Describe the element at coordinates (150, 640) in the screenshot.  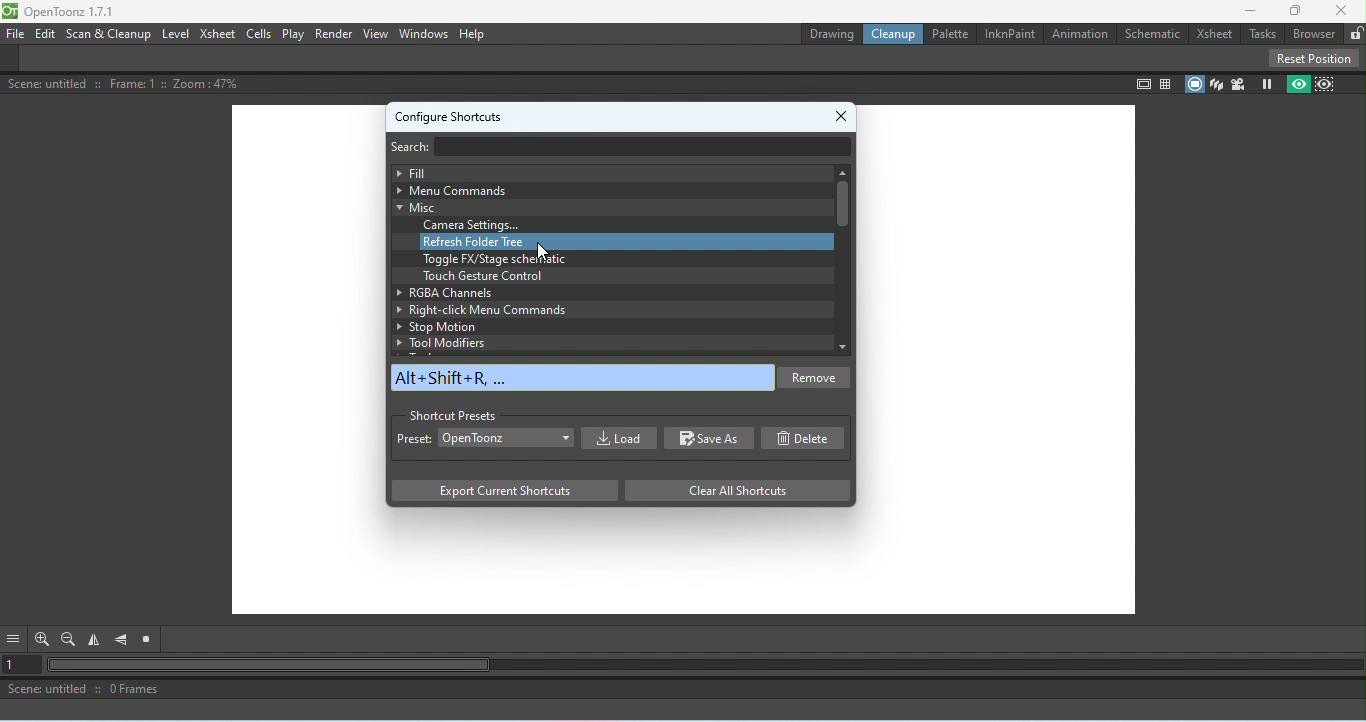
I see `Reset view` at that location.